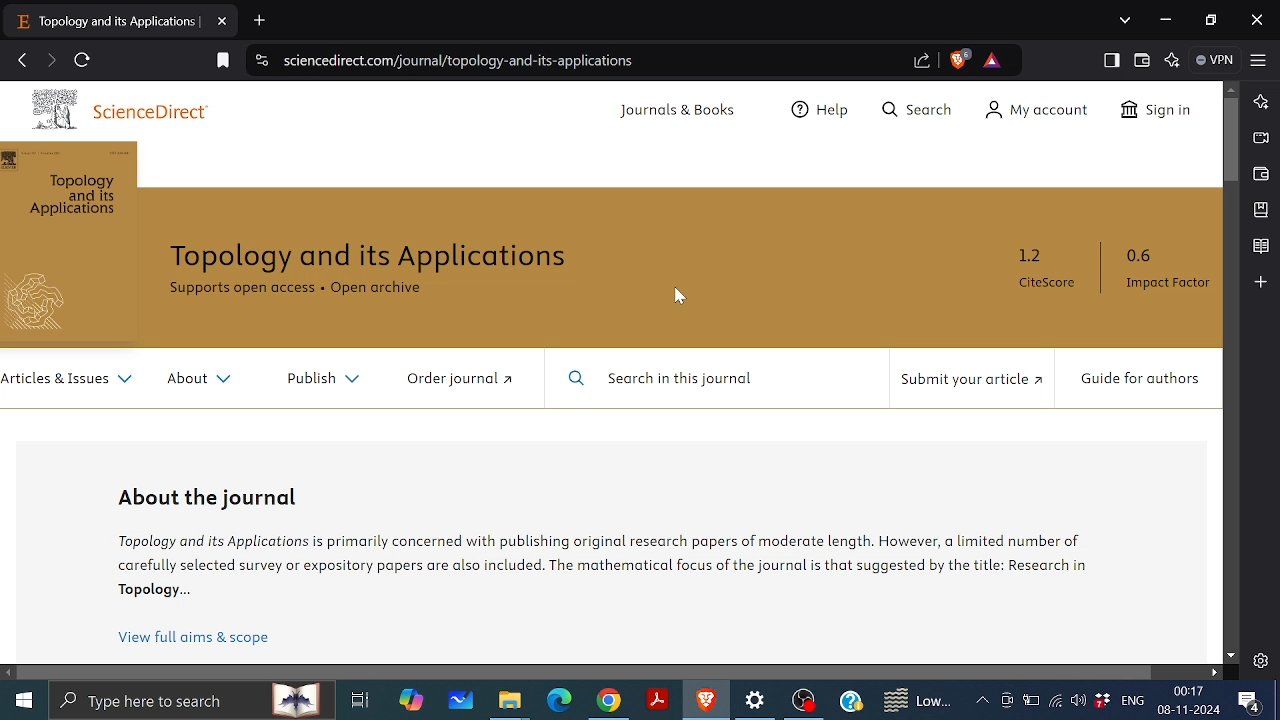 Image resolution: width=1280 pixels, height=720 pixels. What do you see at coordinates (1231, 139) in the screenshot?
I see `Vertical scroll bar` at bounding box center [1231, 139].